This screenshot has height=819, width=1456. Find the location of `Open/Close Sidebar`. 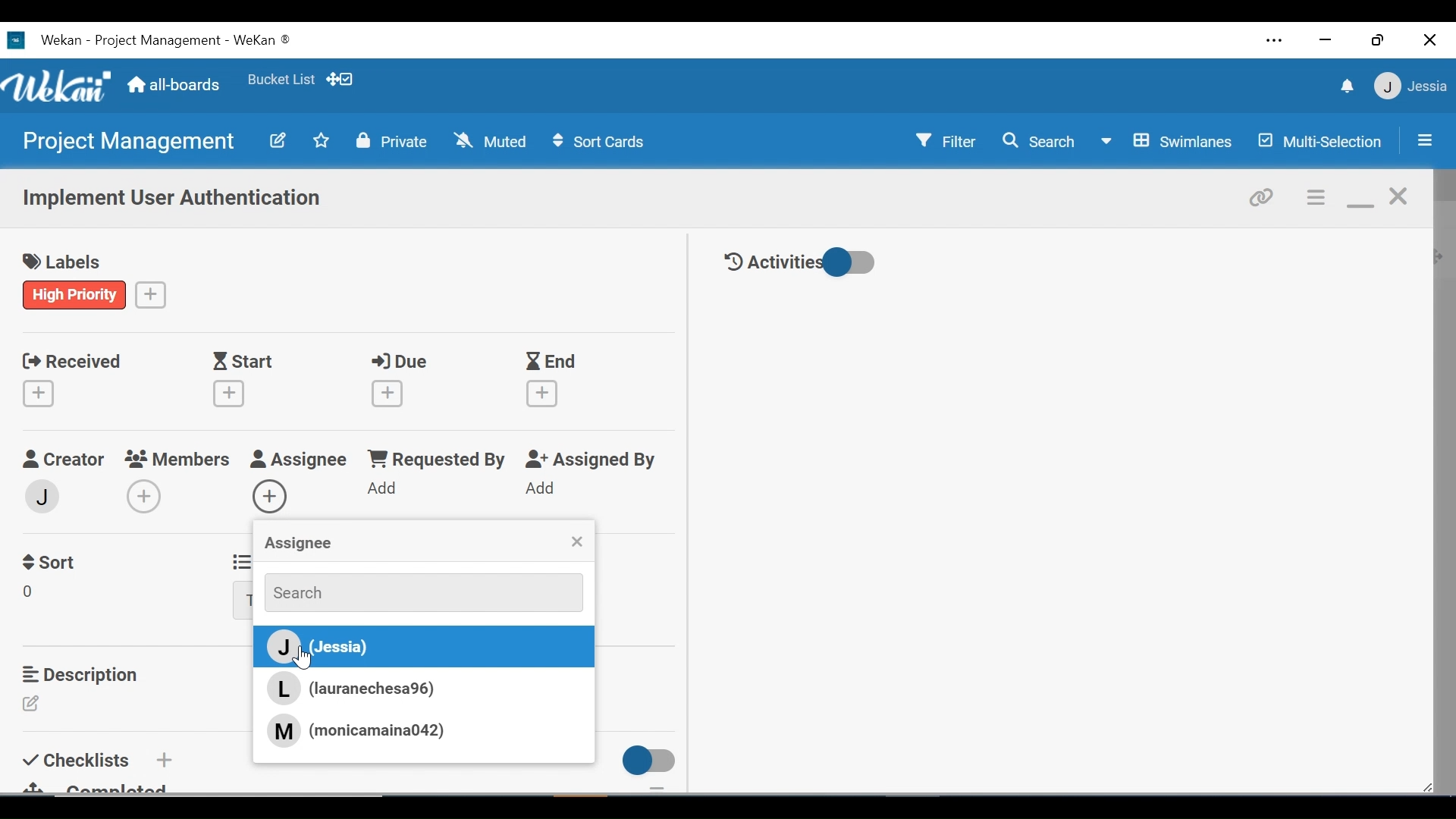

Open/Close Sidebar is located at coordinates (1423, 142).